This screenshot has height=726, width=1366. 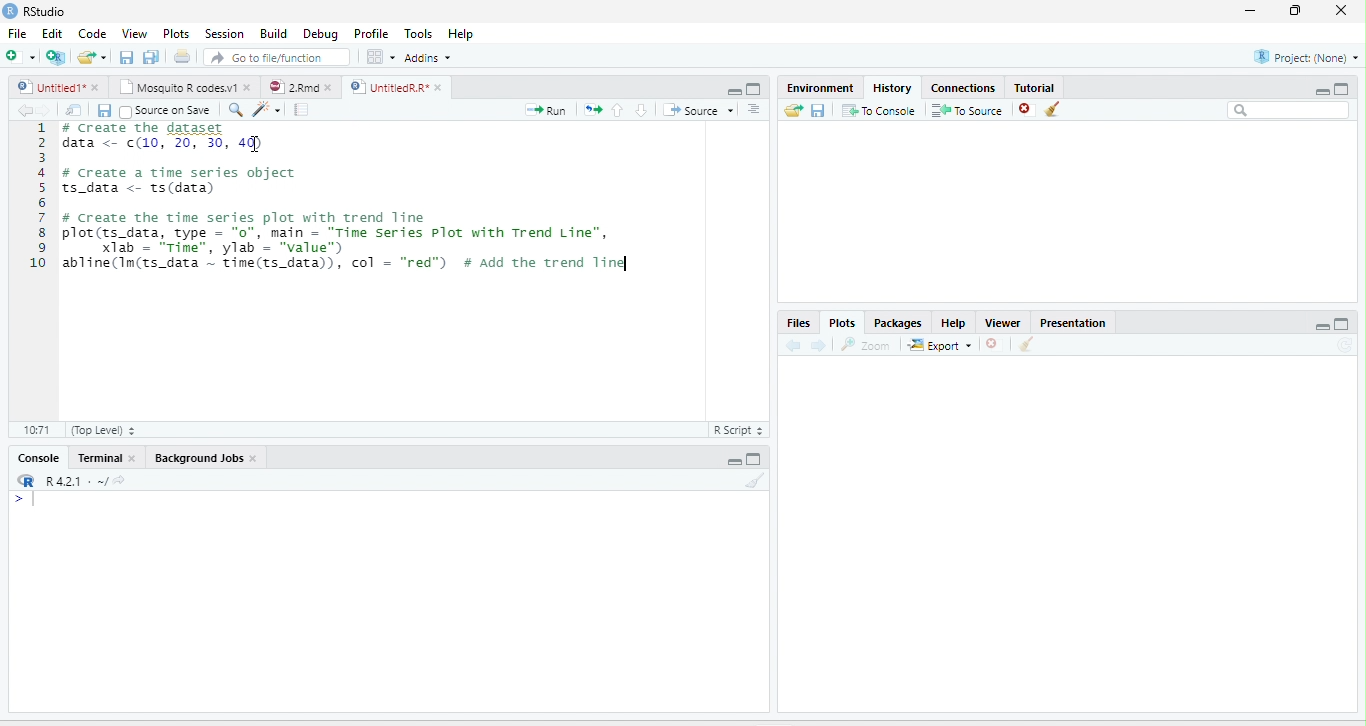 What do you see at coordinates (320, 34) in the screenshot?
I see `Debug` at bounding box center [320, 34].